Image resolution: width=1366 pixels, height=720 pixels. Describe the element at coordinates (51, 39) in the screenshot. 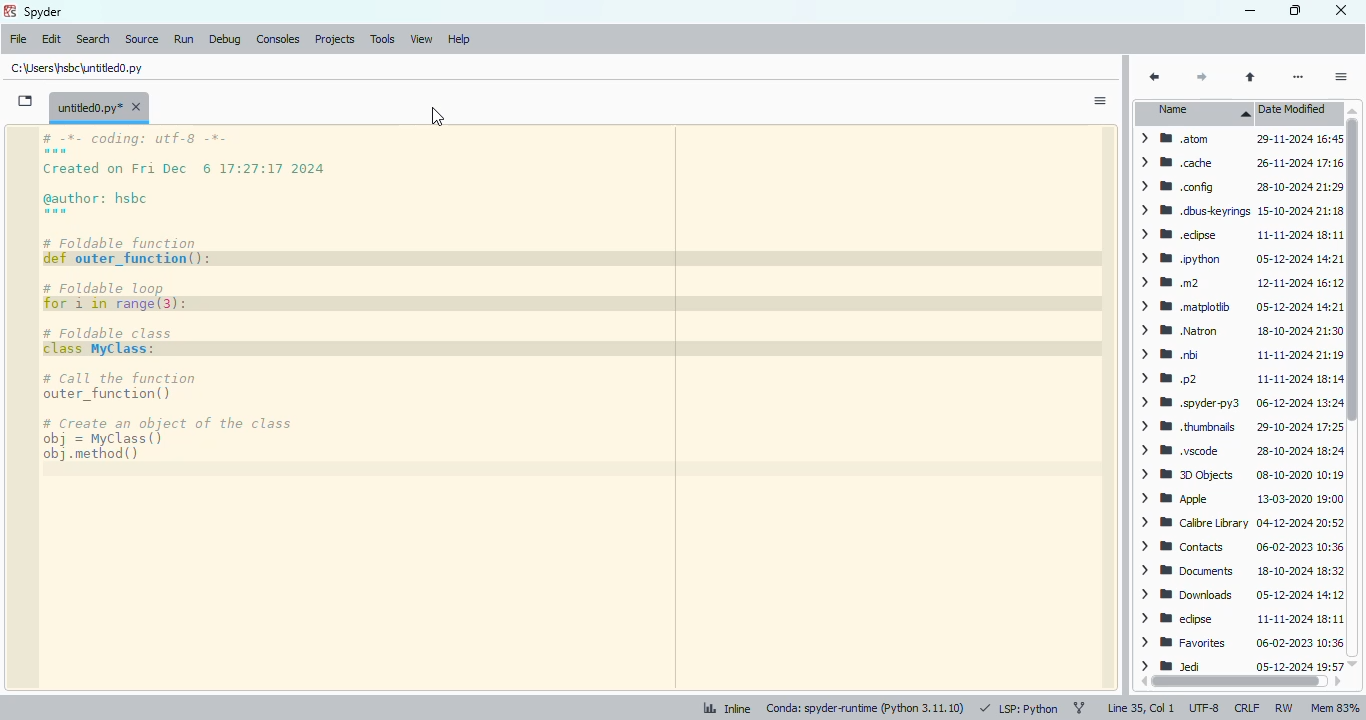

I see `edit` at that location.